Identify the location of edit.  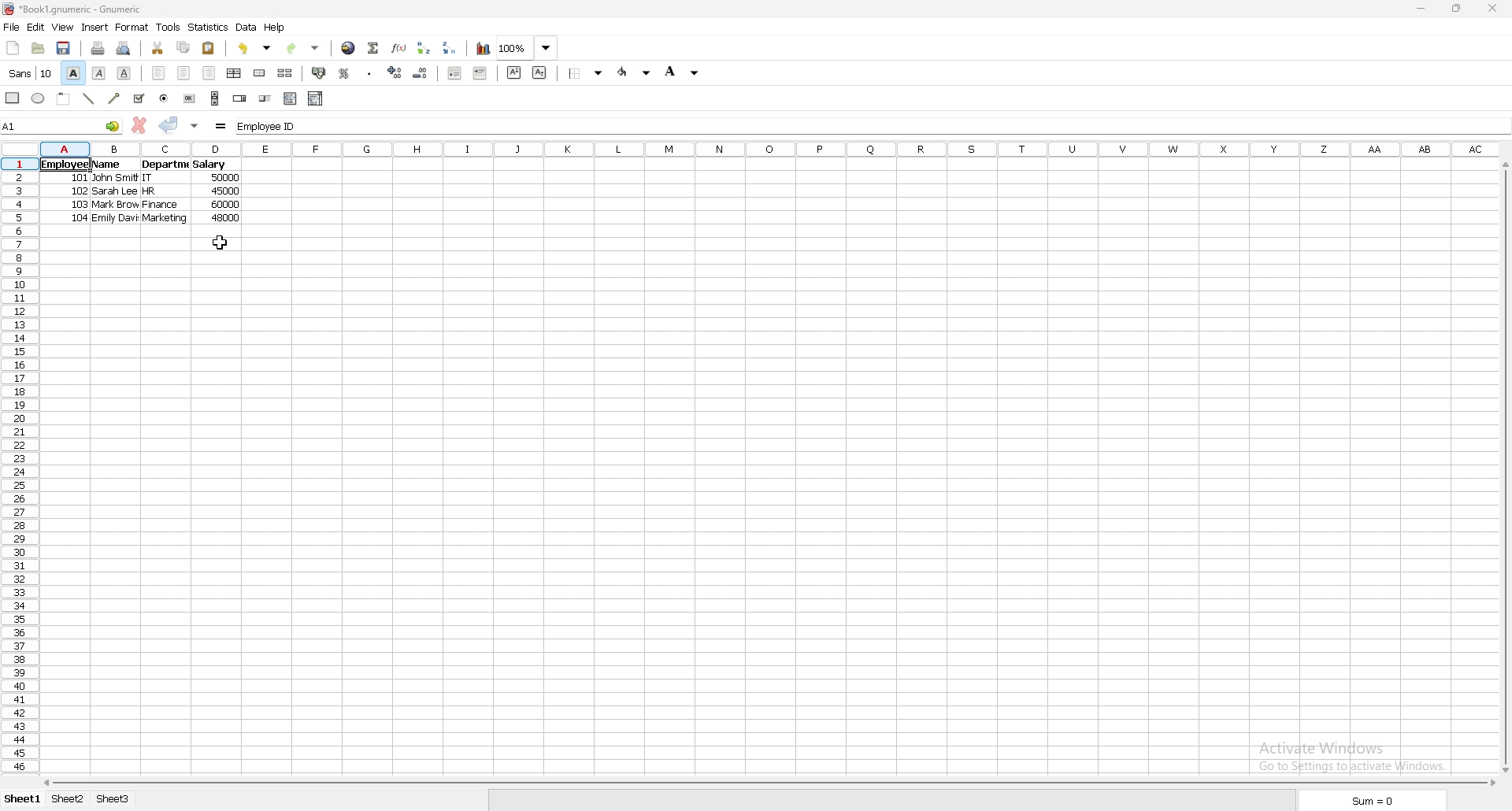
(36, 27).